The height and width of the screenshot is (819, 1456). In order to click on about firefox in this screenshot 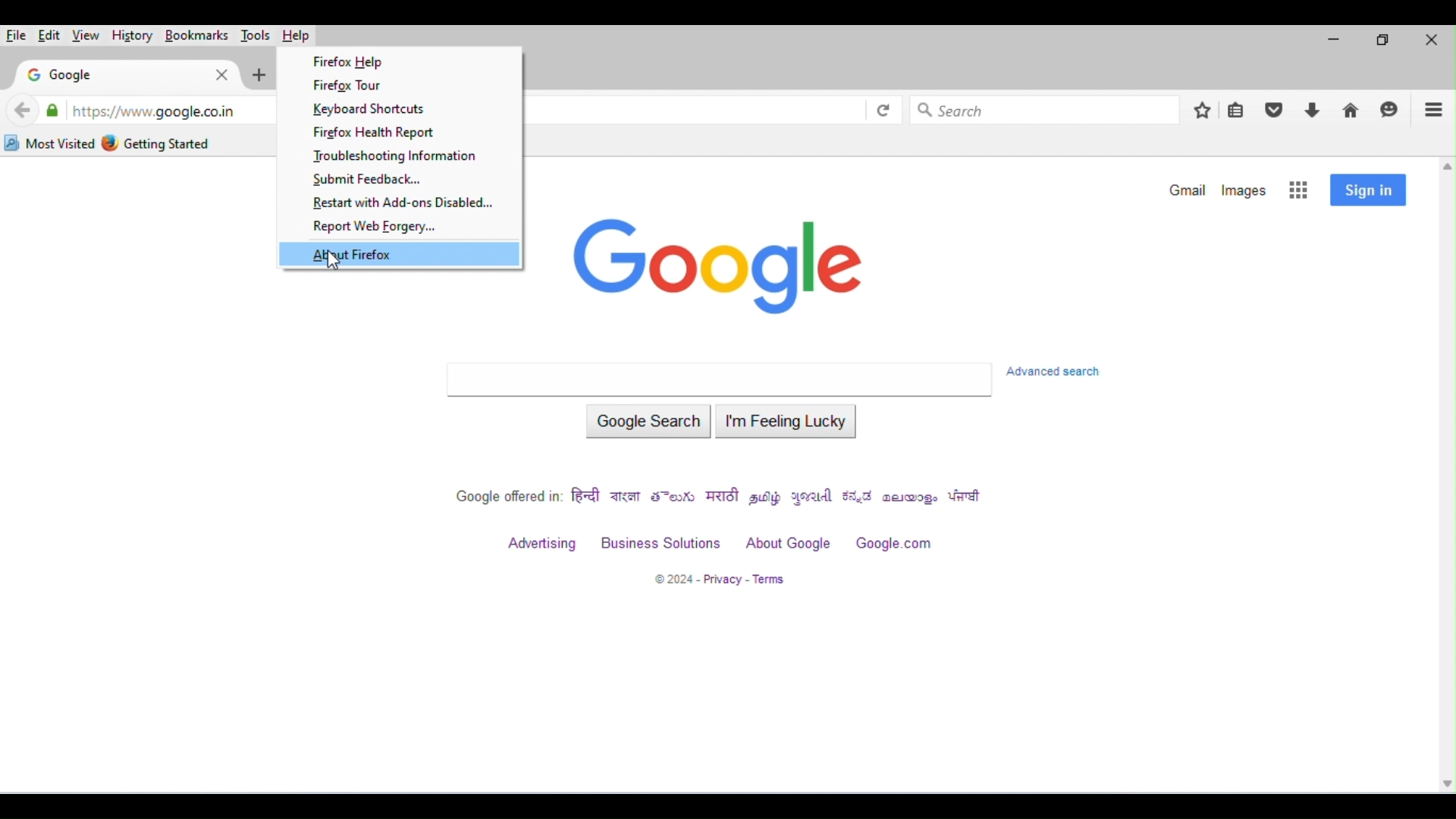, I will do `click(401, 254)`.